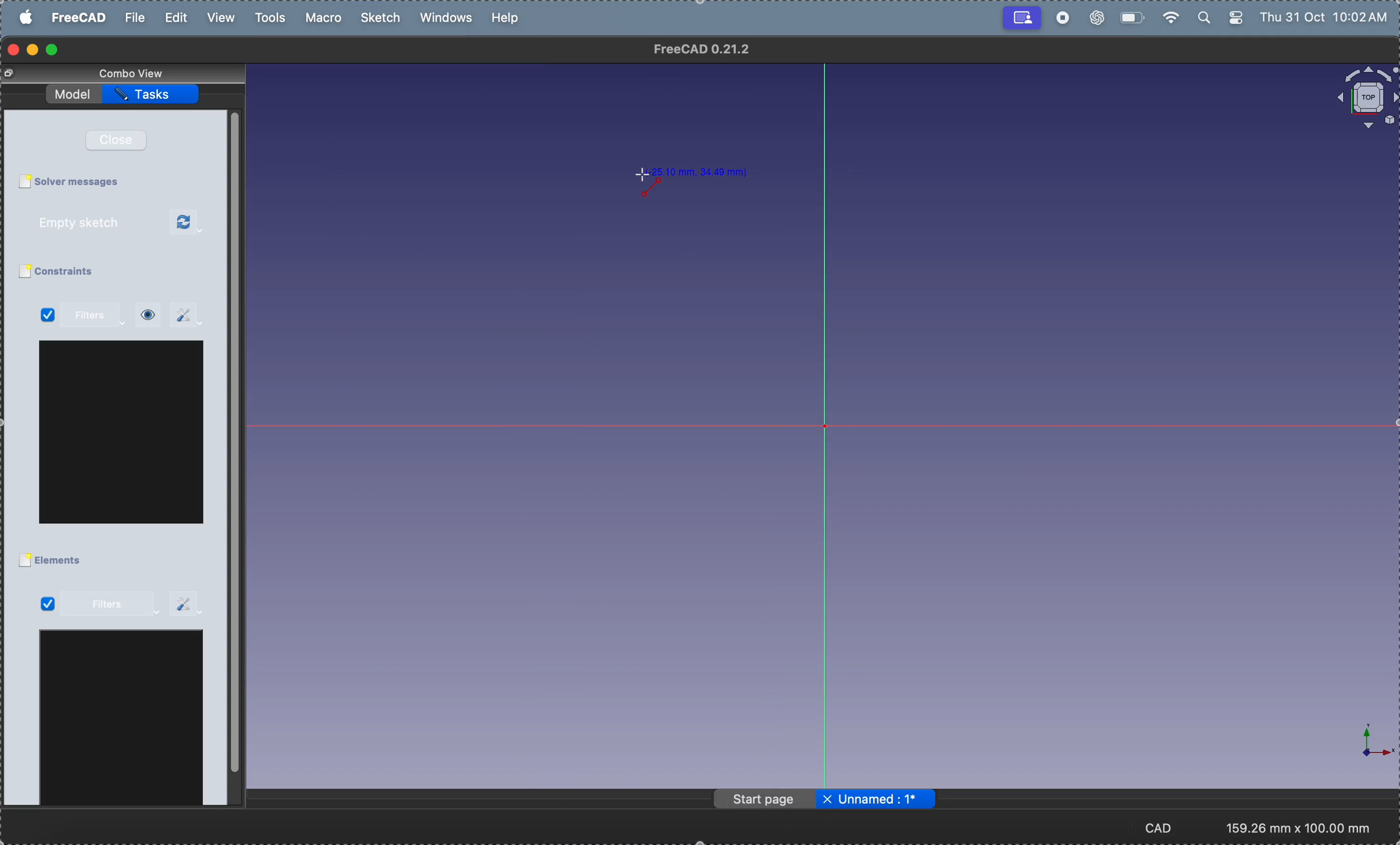 The image size is (1400, 845). What do you see at coordinates (79, 272) in the screenshot?
I see `constraints` at bounding box center [79, 272].